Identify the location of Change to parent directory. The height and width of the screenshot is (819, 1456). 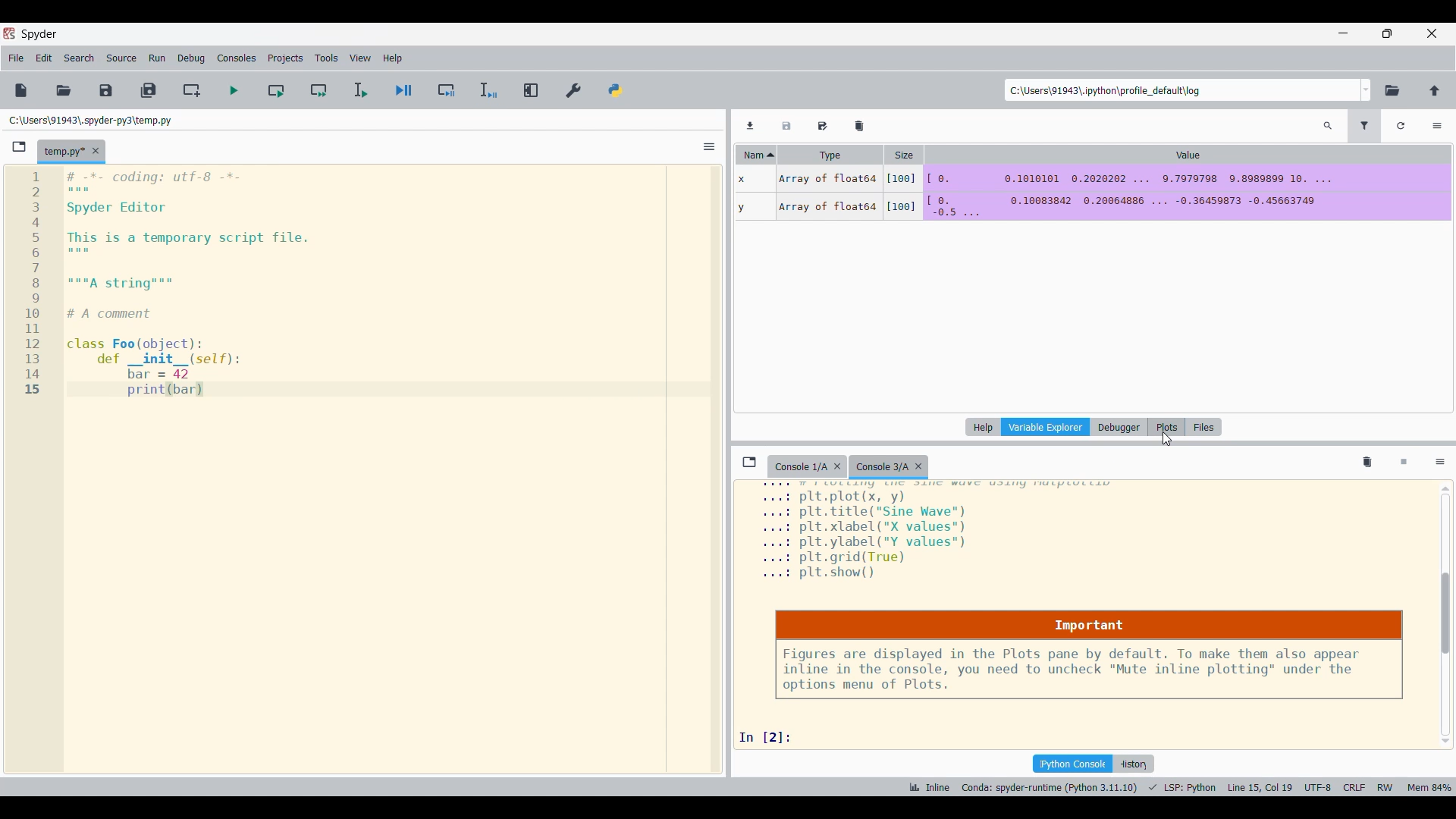
(1435, 90).